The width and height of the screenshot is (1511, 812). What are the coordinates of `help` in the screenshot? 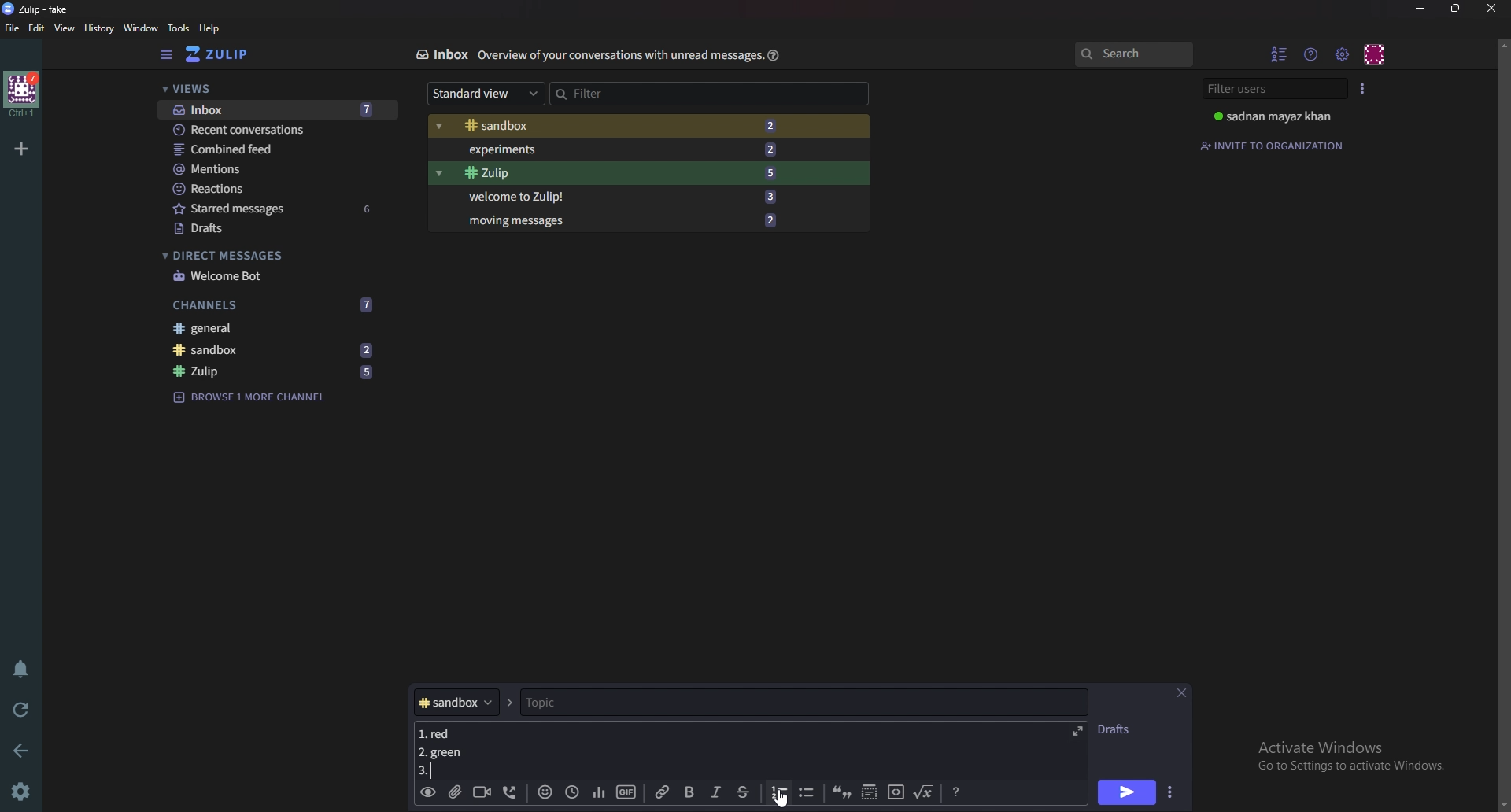 It's located at (209, 29).